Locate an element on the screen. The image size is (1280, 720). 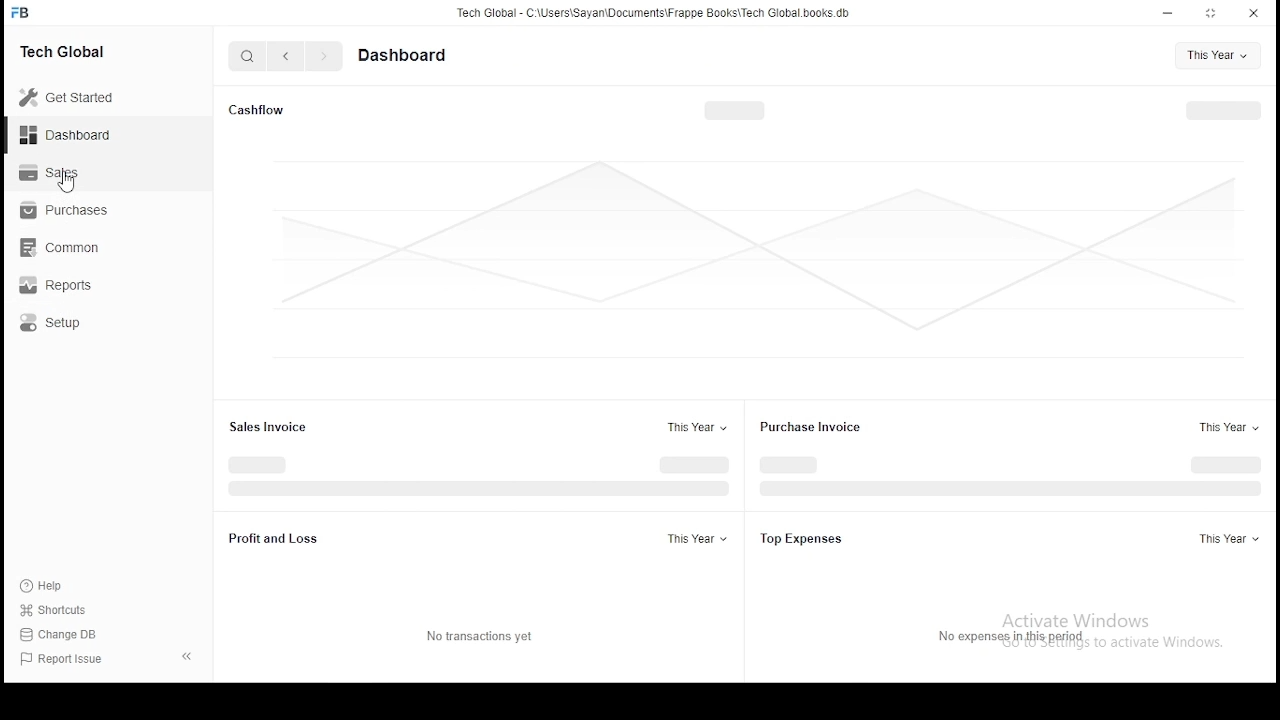
Report issue is located at coordinates (65, 660).